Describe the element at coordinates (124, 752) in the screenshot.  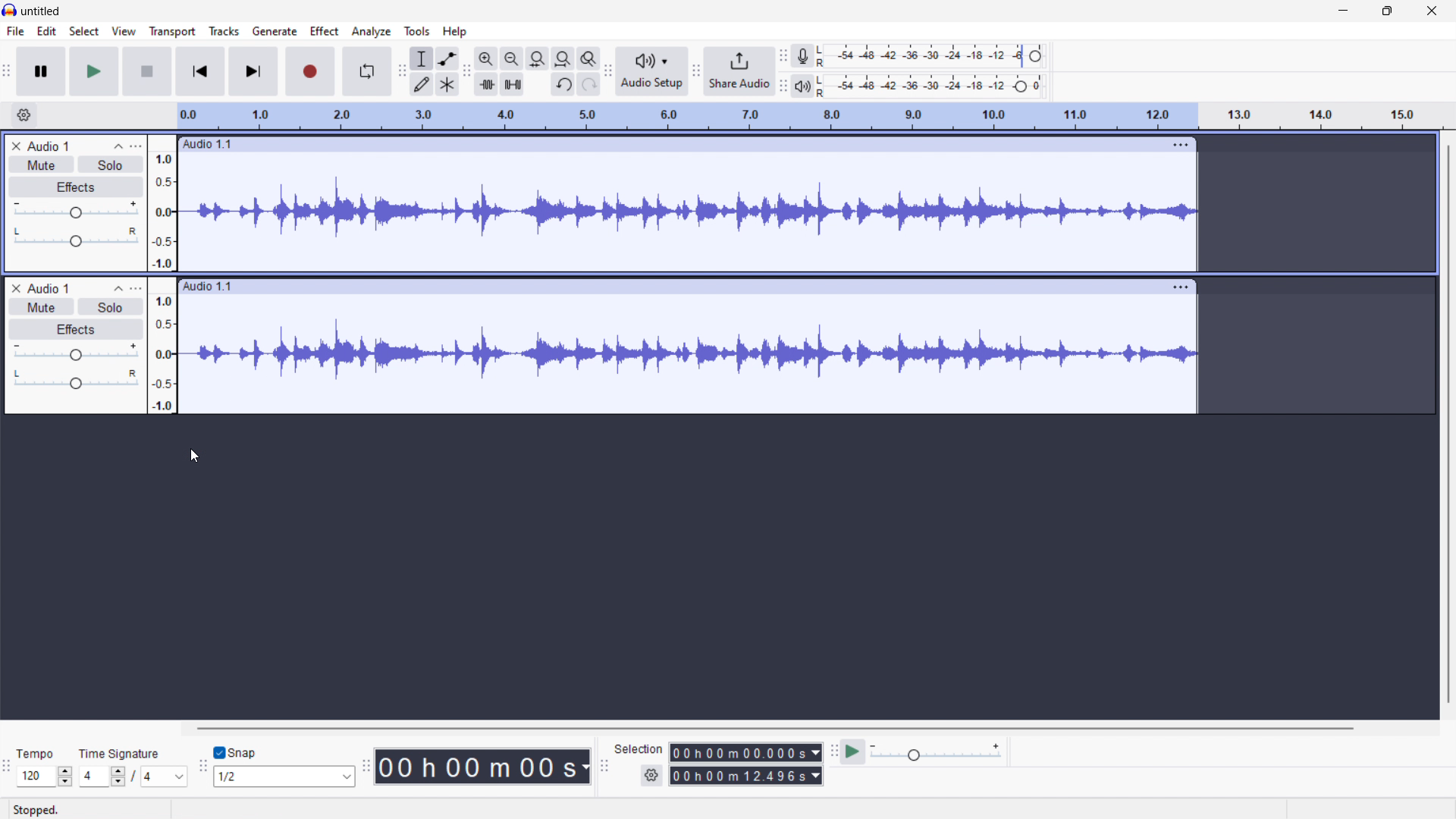
I see `Time Signature Label` at that location.